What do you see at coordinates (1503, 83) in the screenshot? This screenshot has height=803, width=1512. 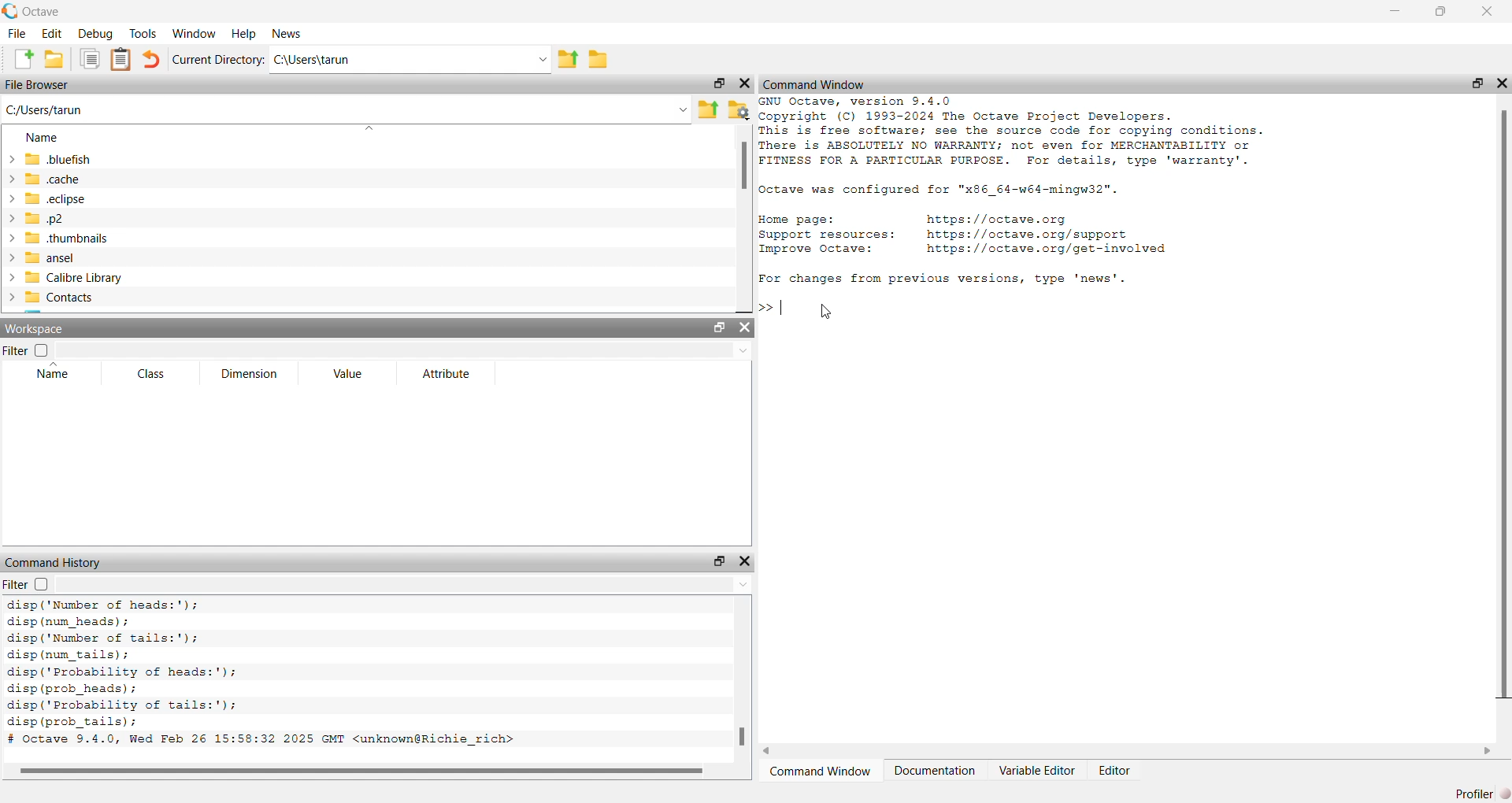 I see `Hide Widget` at bounding box center [1503, 83].